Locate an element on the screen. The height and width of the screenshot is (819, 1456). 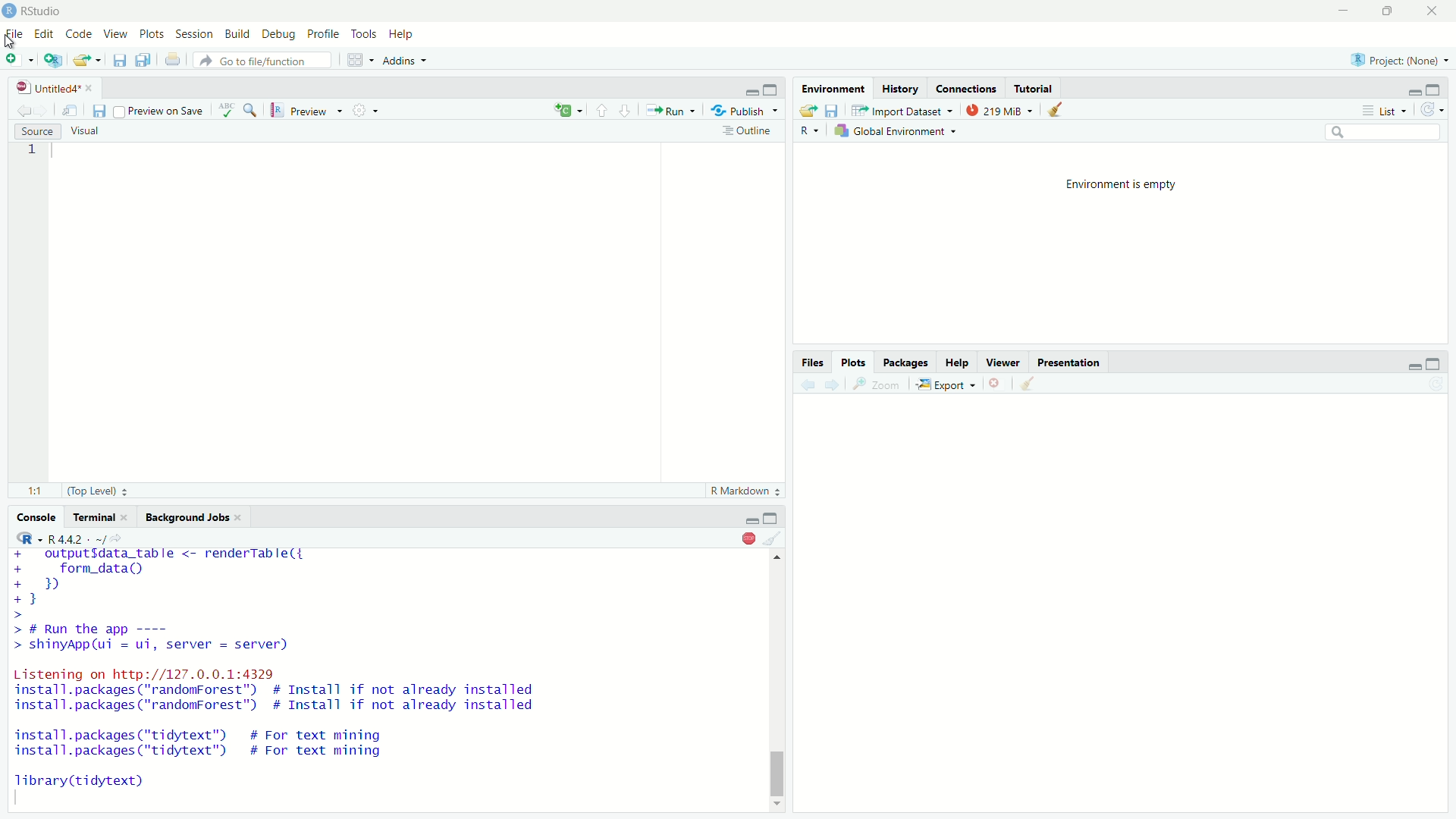
RStudio is located at coordinates (43, 11).